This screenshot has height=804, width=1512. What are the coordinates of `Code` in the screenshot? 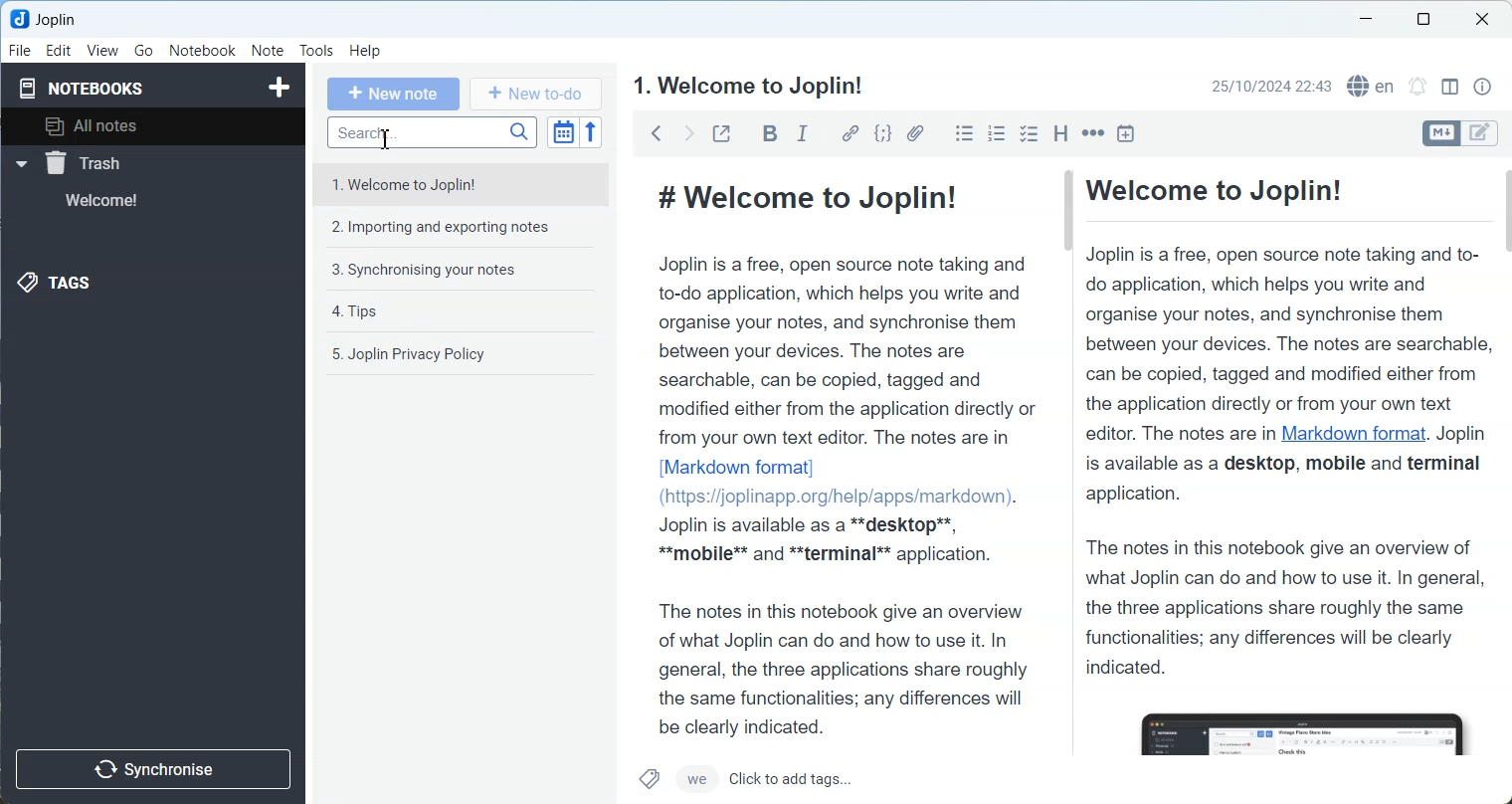 It's located at (882, 133).